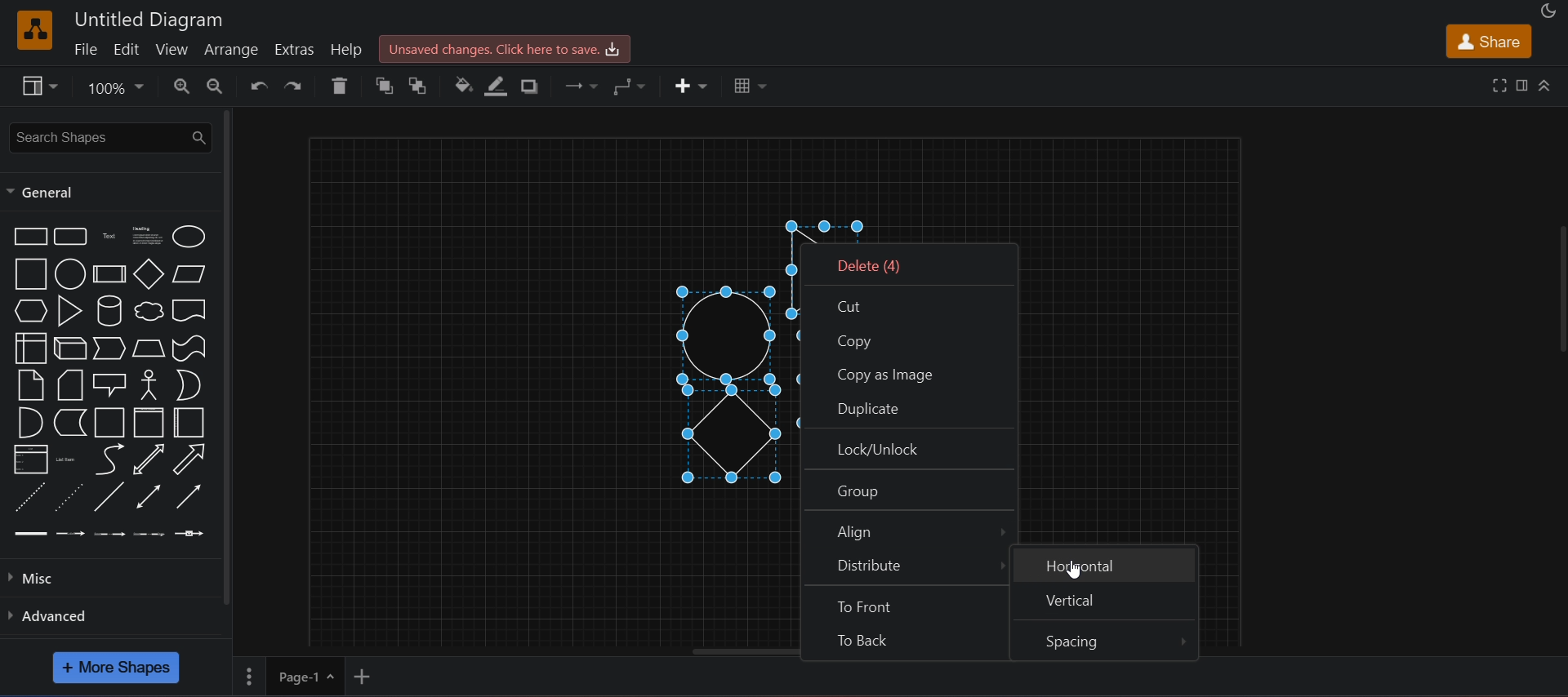 This screenshot has width=1568, height=697. I want to click on list, so click(29, 458).